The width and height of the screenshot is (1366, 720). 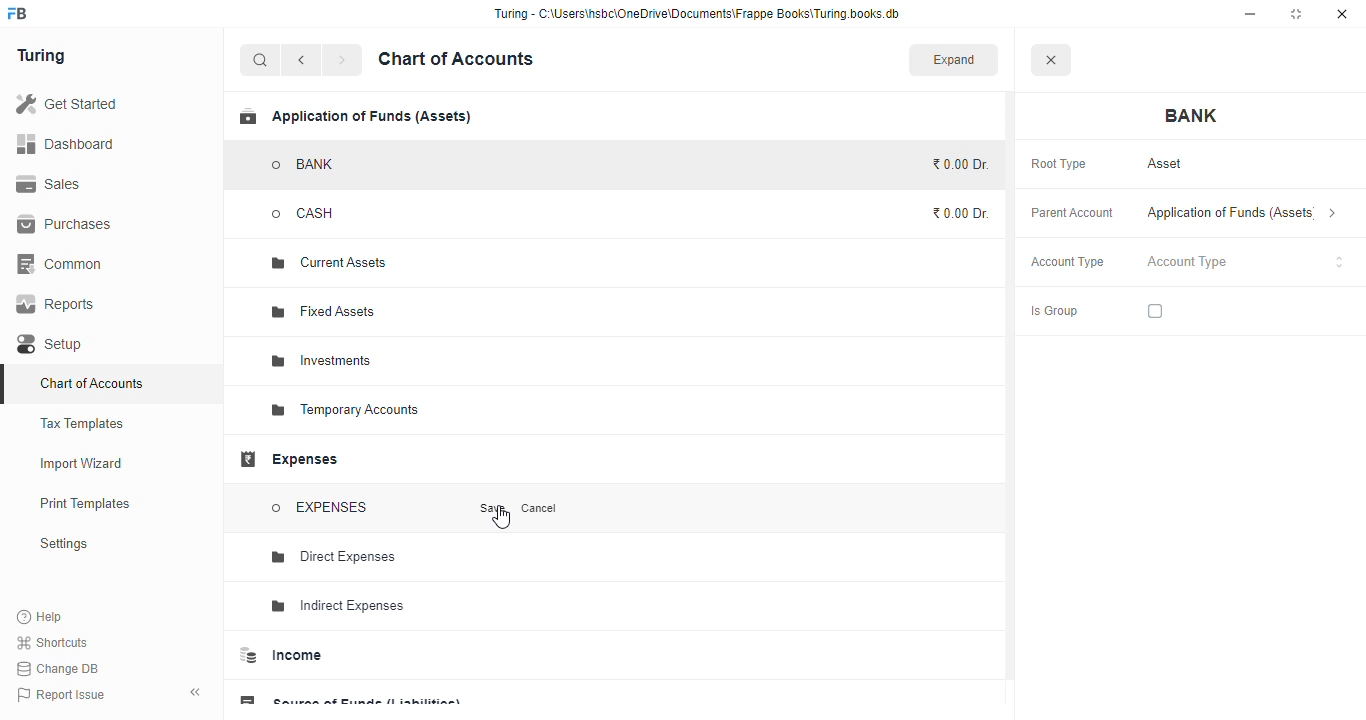 What do you see at coordinates (82, 464) in the screenshot?
I see `import wizard` at bounding box center [82, 464].